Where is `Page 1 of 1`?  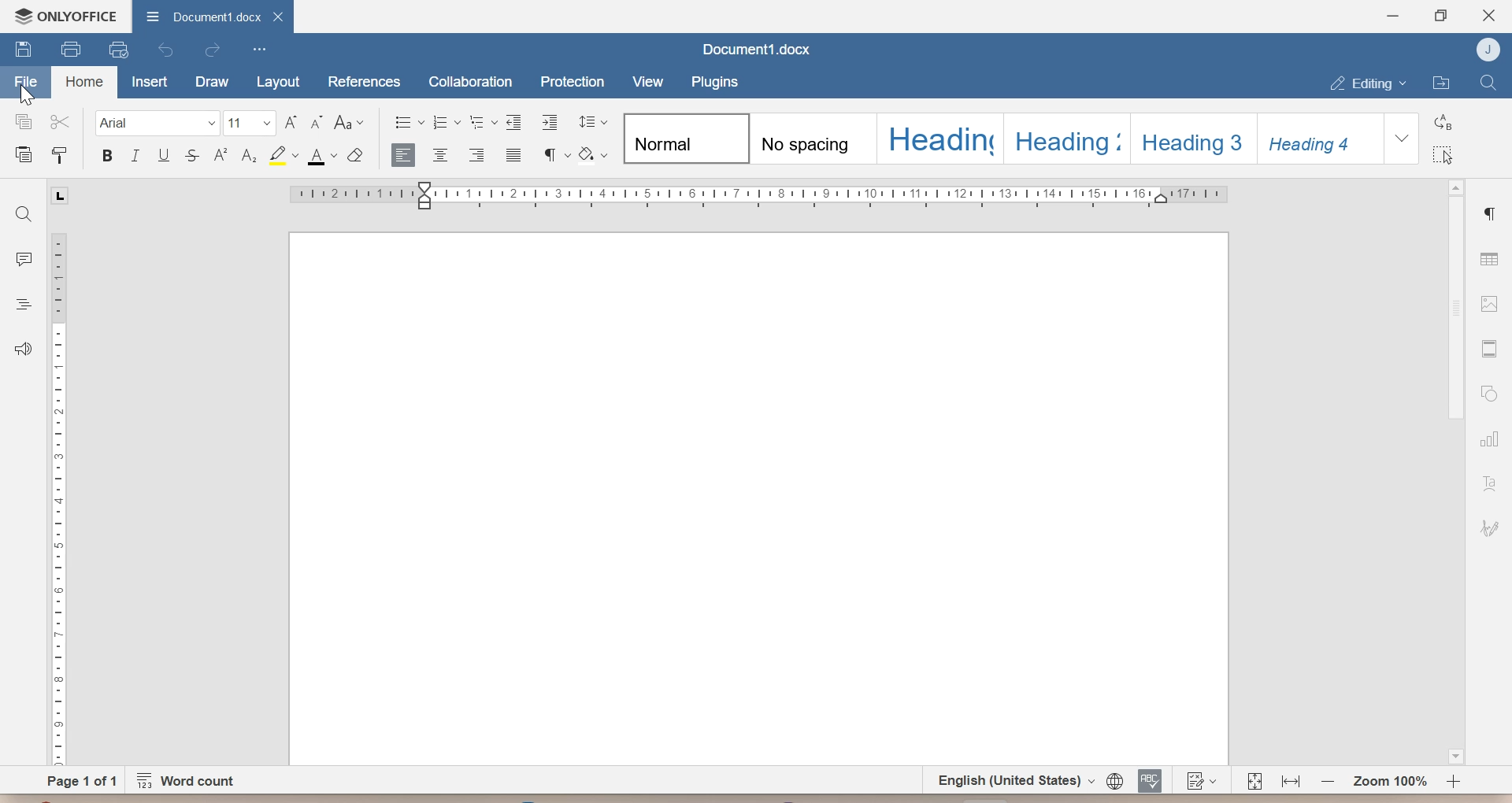
Page 1 of 1 is located at coordinates (83, 779).